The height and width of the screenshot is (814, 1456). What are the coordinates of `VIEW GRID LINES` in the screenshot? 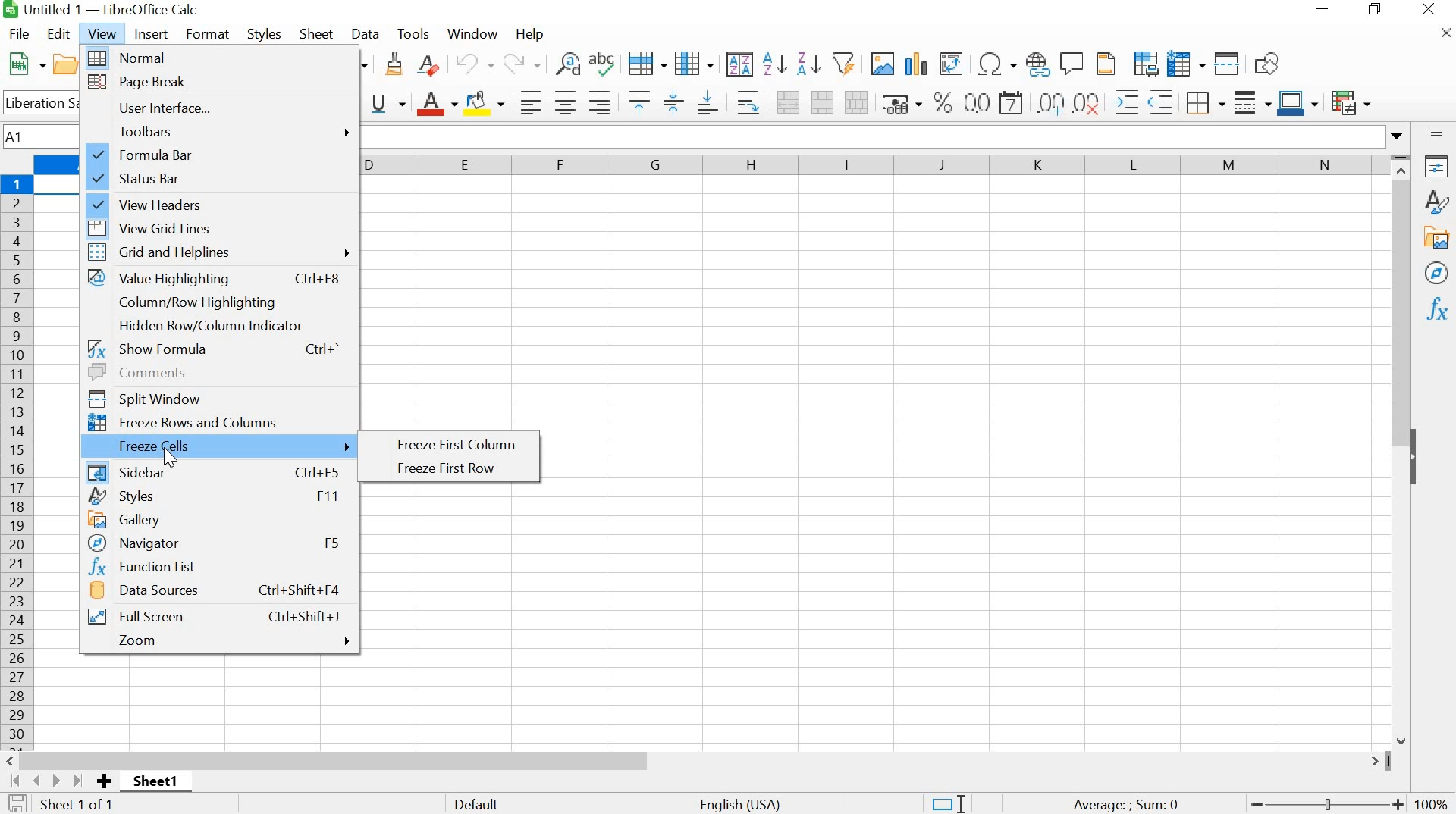 It's located at (222, 226).